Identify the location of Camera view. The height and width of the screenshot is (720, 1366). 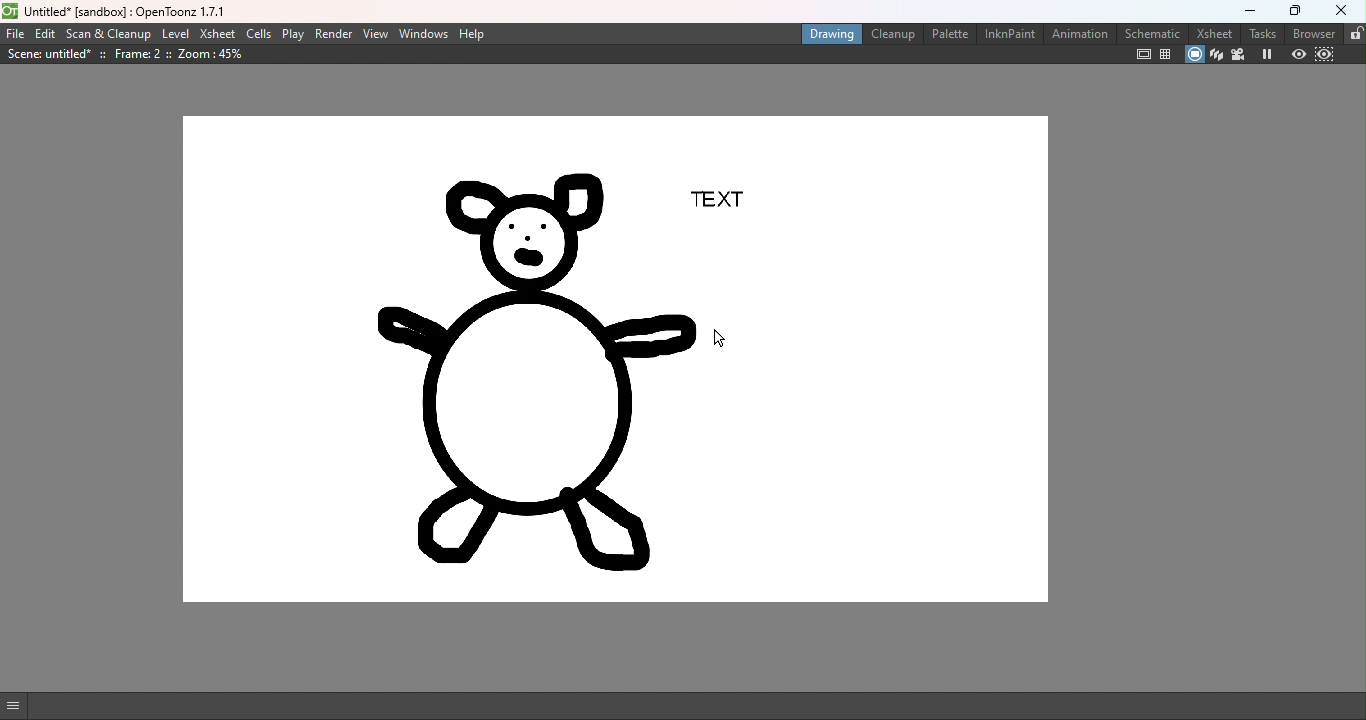
(1240, 56).